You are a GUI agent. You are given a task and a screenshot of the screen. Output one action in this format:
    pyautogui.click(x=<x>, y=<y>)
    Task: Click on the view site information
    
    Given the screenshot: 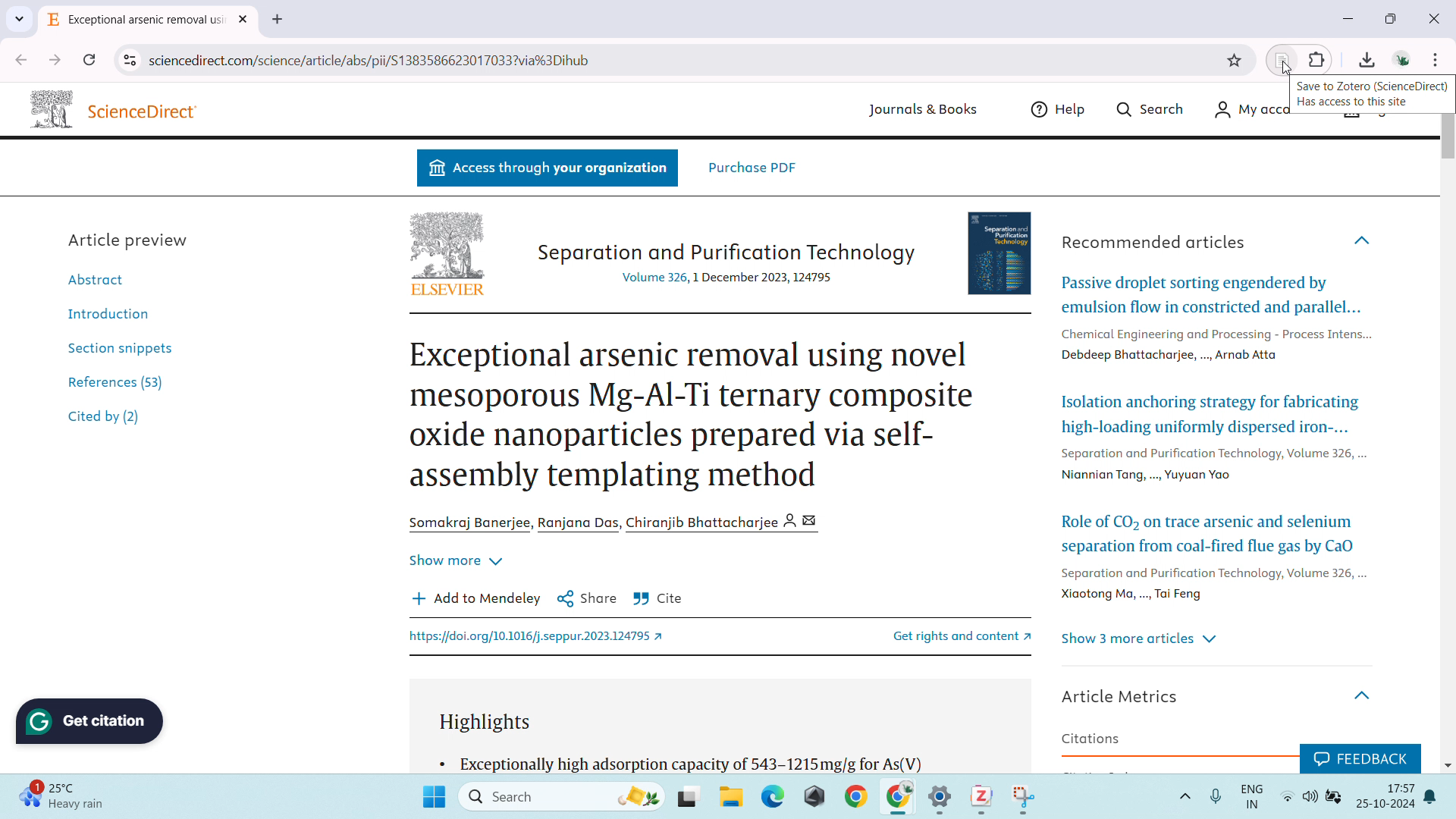 What is the action you would take?
    pyautogui.click(x=129, y=61)
    